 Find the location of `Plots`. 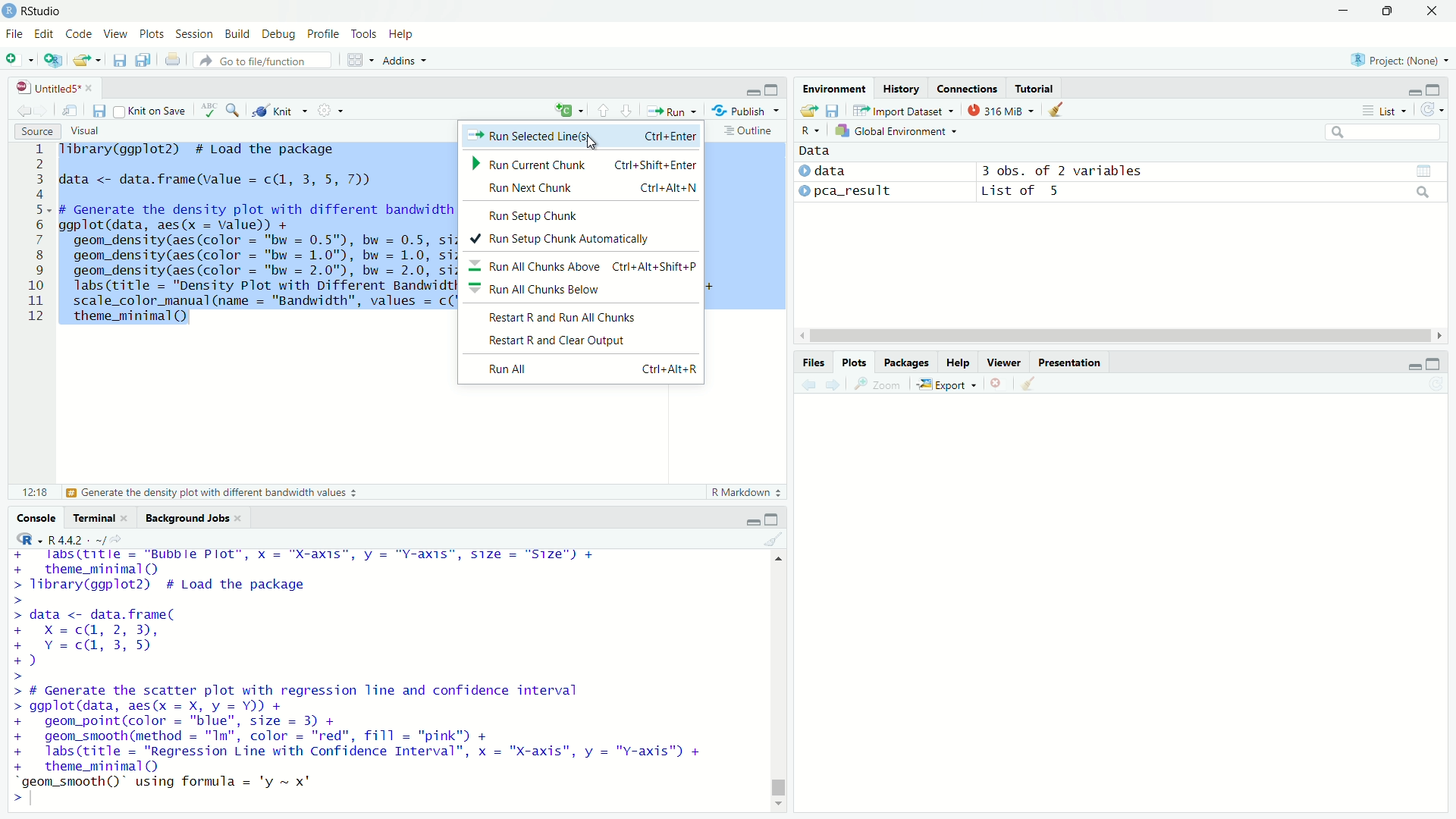

Plots is located at coordinates (853, 362).